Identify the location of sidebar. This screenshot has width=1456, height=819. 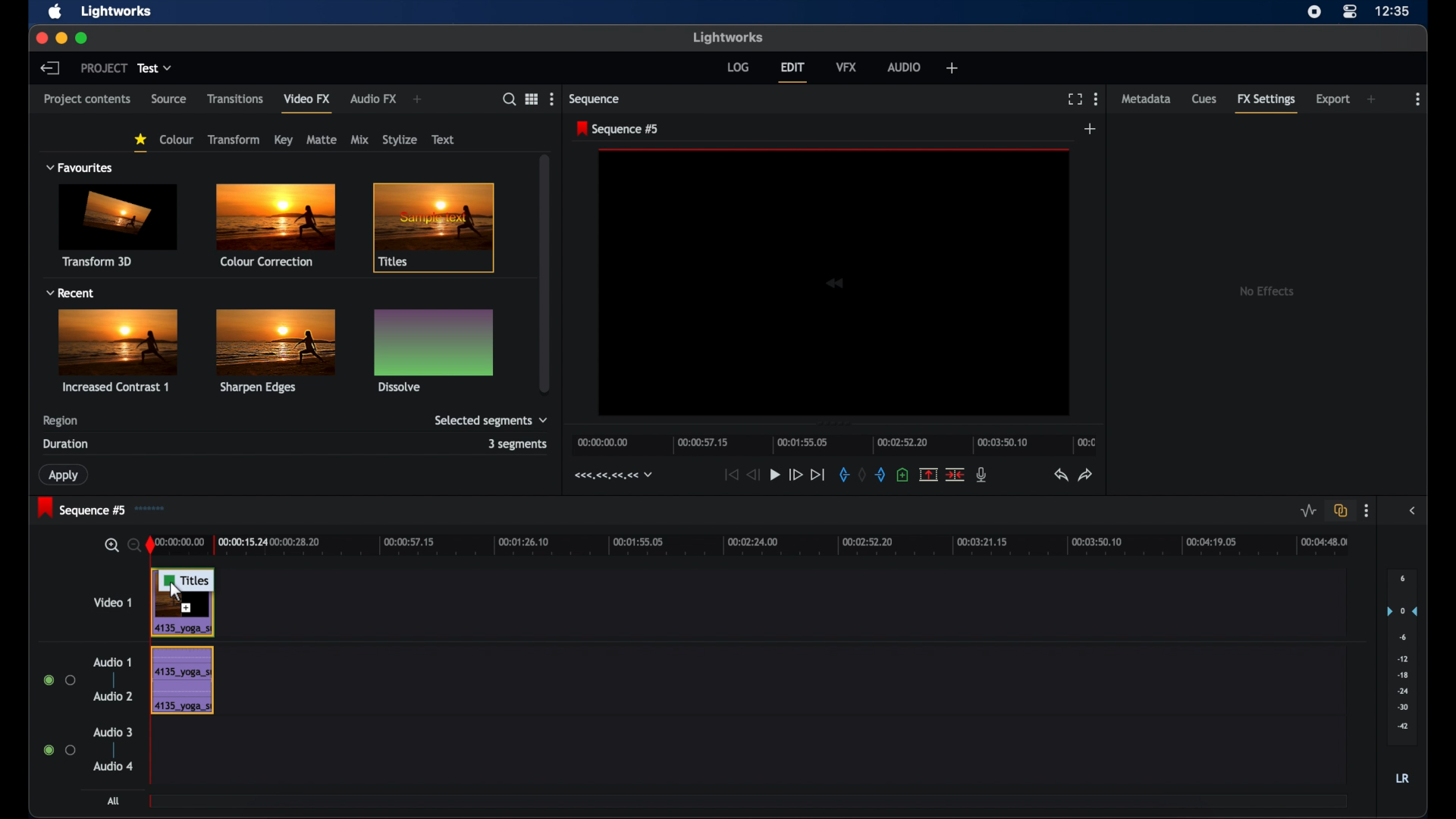
(1411, 510).